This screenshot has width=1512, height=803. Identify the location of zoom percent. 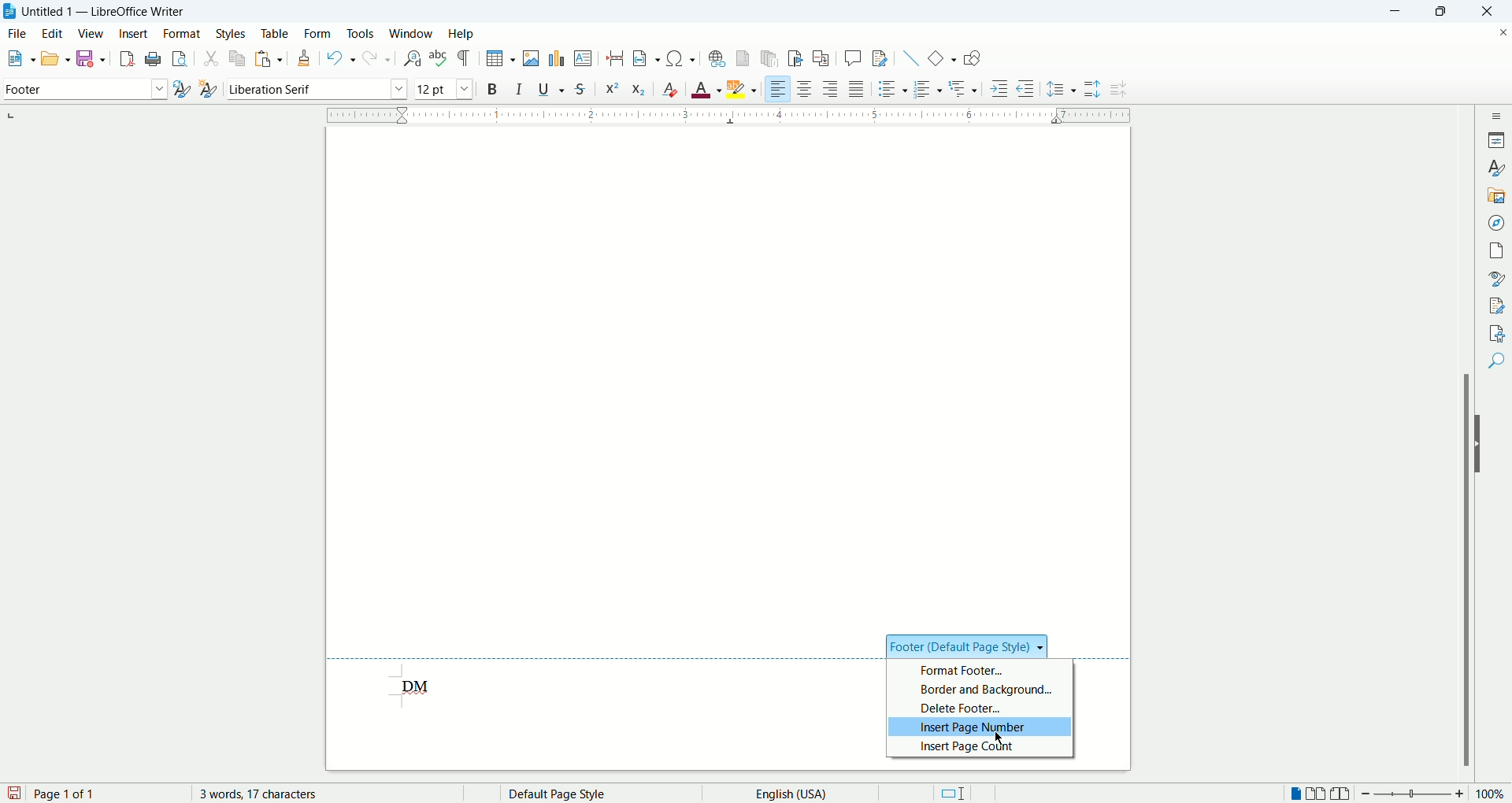
(1492, 795).